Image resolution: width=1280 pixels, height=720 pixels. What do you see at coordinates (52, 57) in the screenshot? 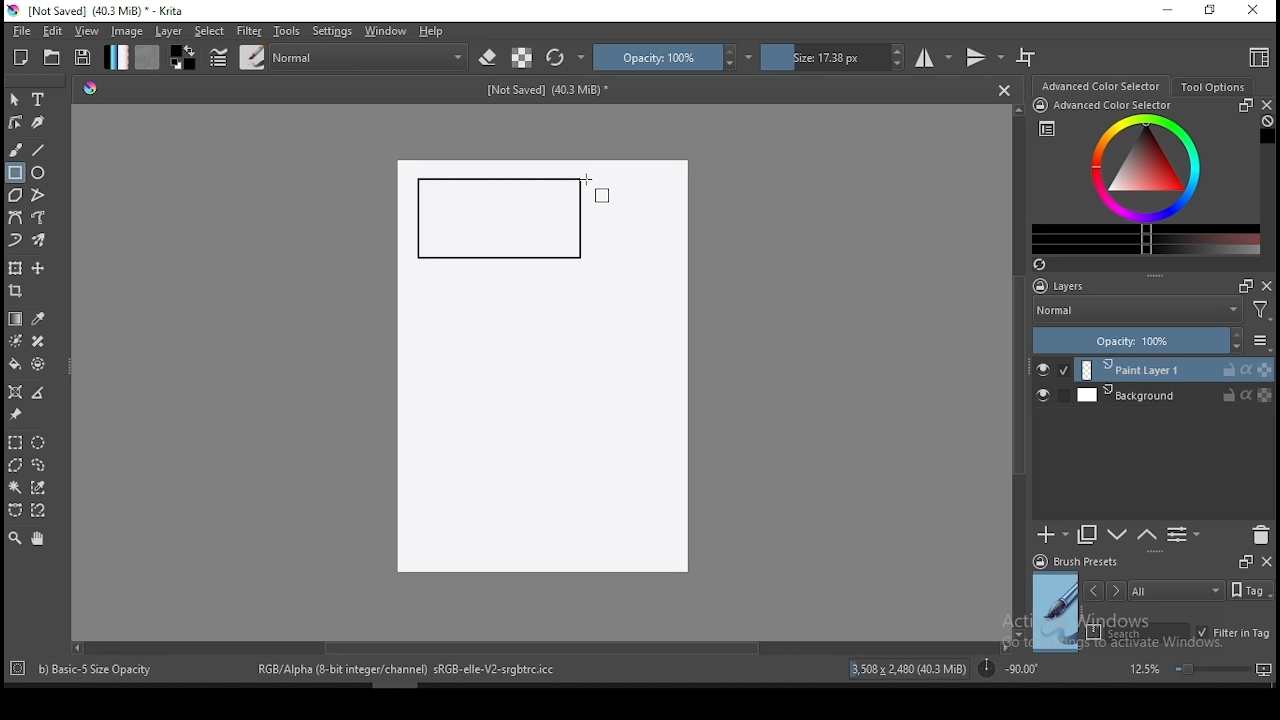
I see `open` at bounding box center [52, 57].